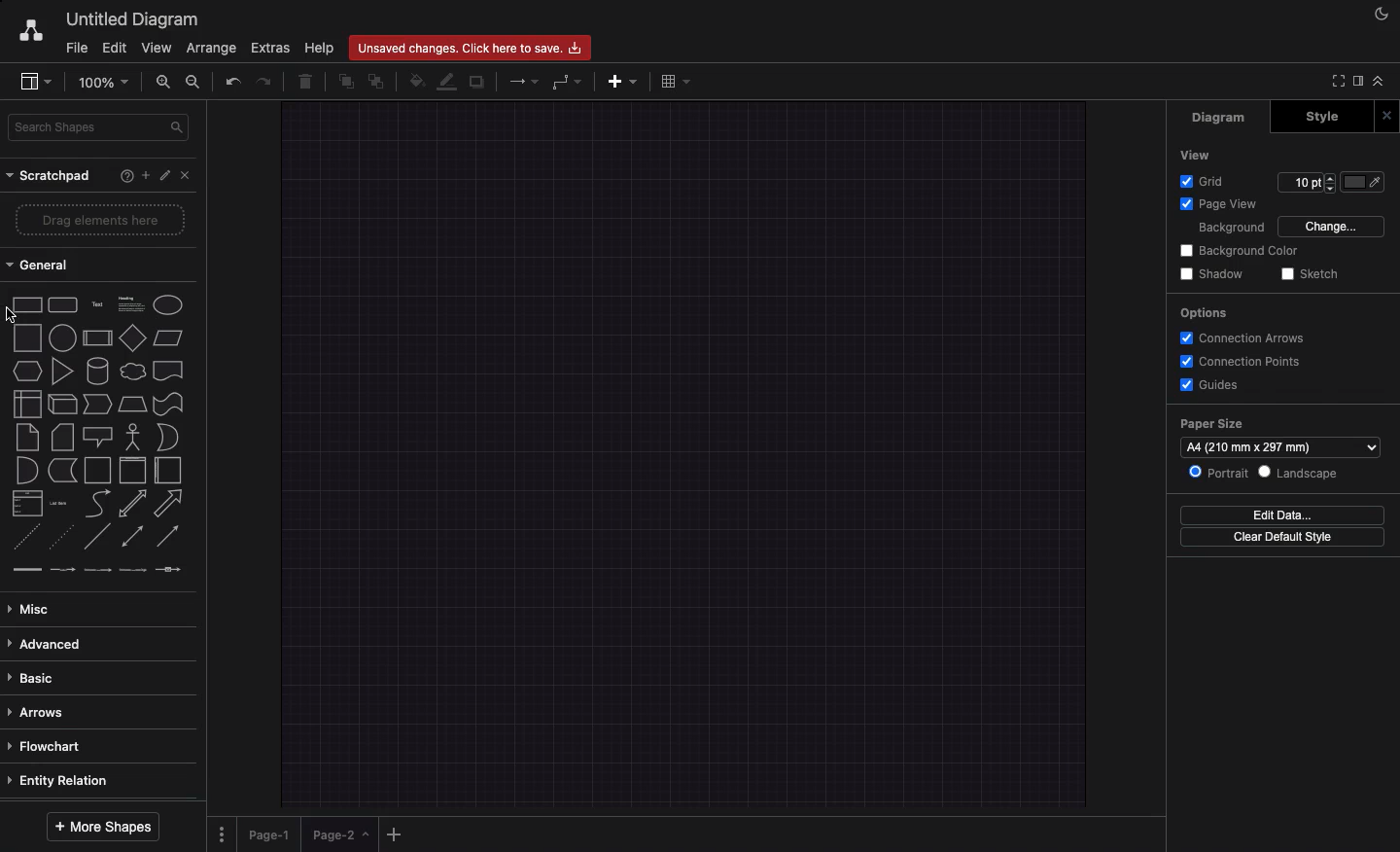 The height and width of the screenshot is (852, 1400). What do you see at coordinates (30, 29) in the screenshot?
I see `Draw.io` at bounding box center [30, 29].